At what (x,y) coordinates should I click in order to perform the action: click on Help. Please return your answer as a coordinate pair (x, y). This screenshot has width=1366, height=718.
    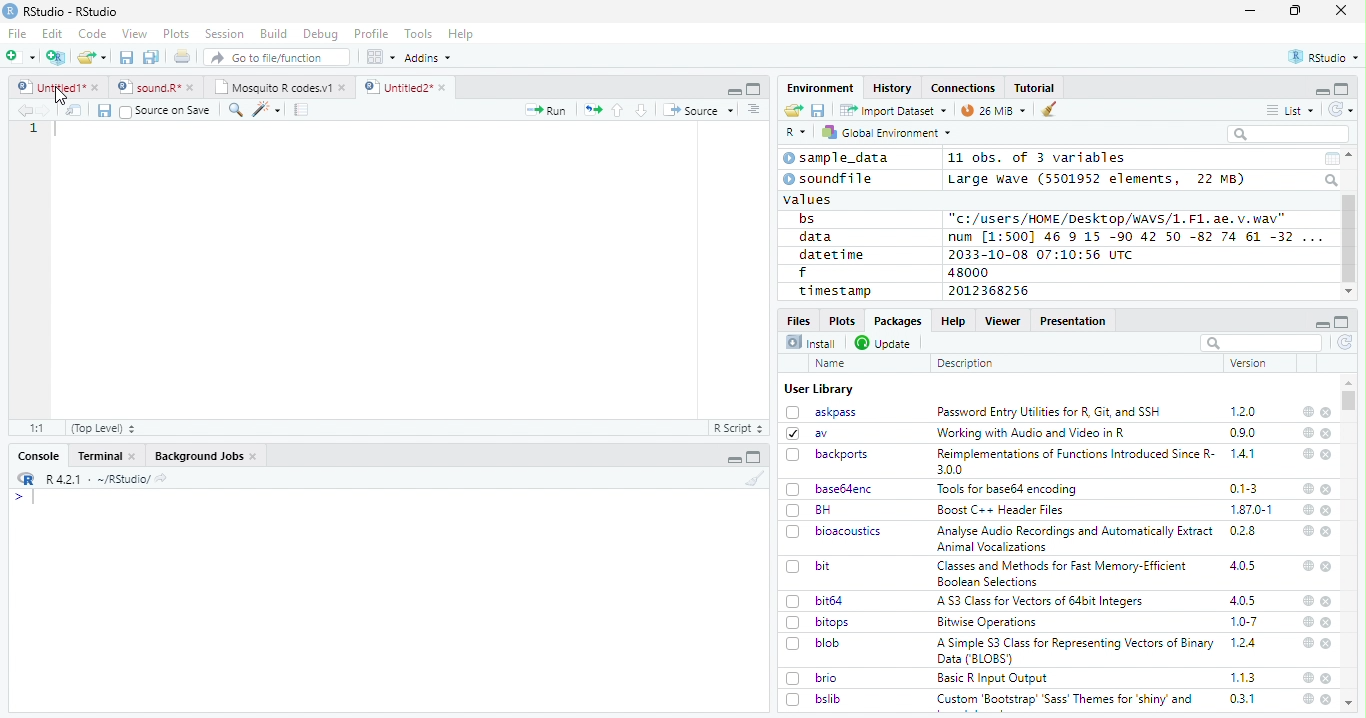
    Looking at the image, I should click on (952, 320).